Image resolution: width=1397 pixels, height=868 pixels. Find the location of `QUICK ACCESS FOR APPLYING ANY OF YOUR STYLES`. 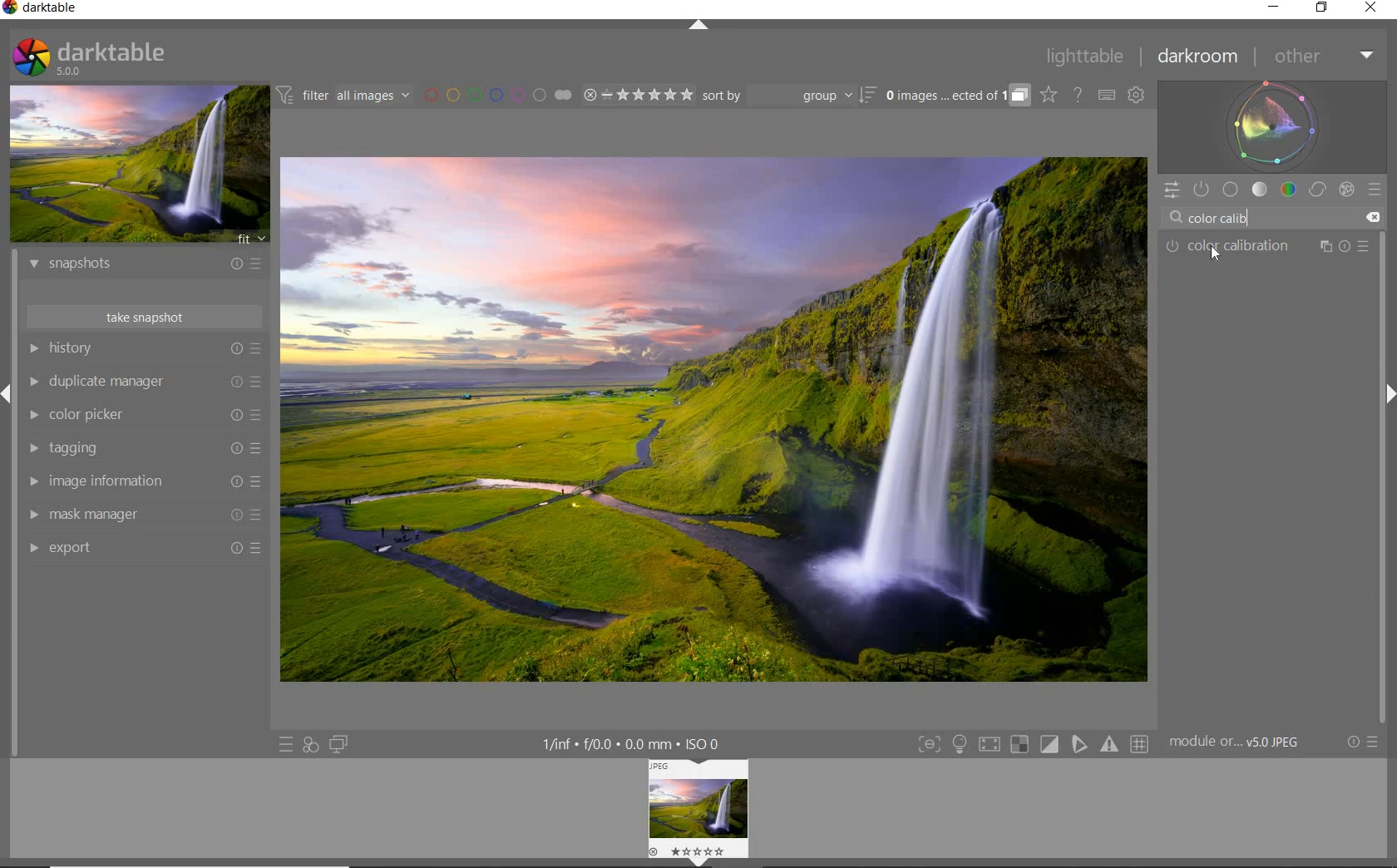

QUICK ACCESS FOR APPLYING ANY OF YOUR STYLES is located at coordinates (309, 746).